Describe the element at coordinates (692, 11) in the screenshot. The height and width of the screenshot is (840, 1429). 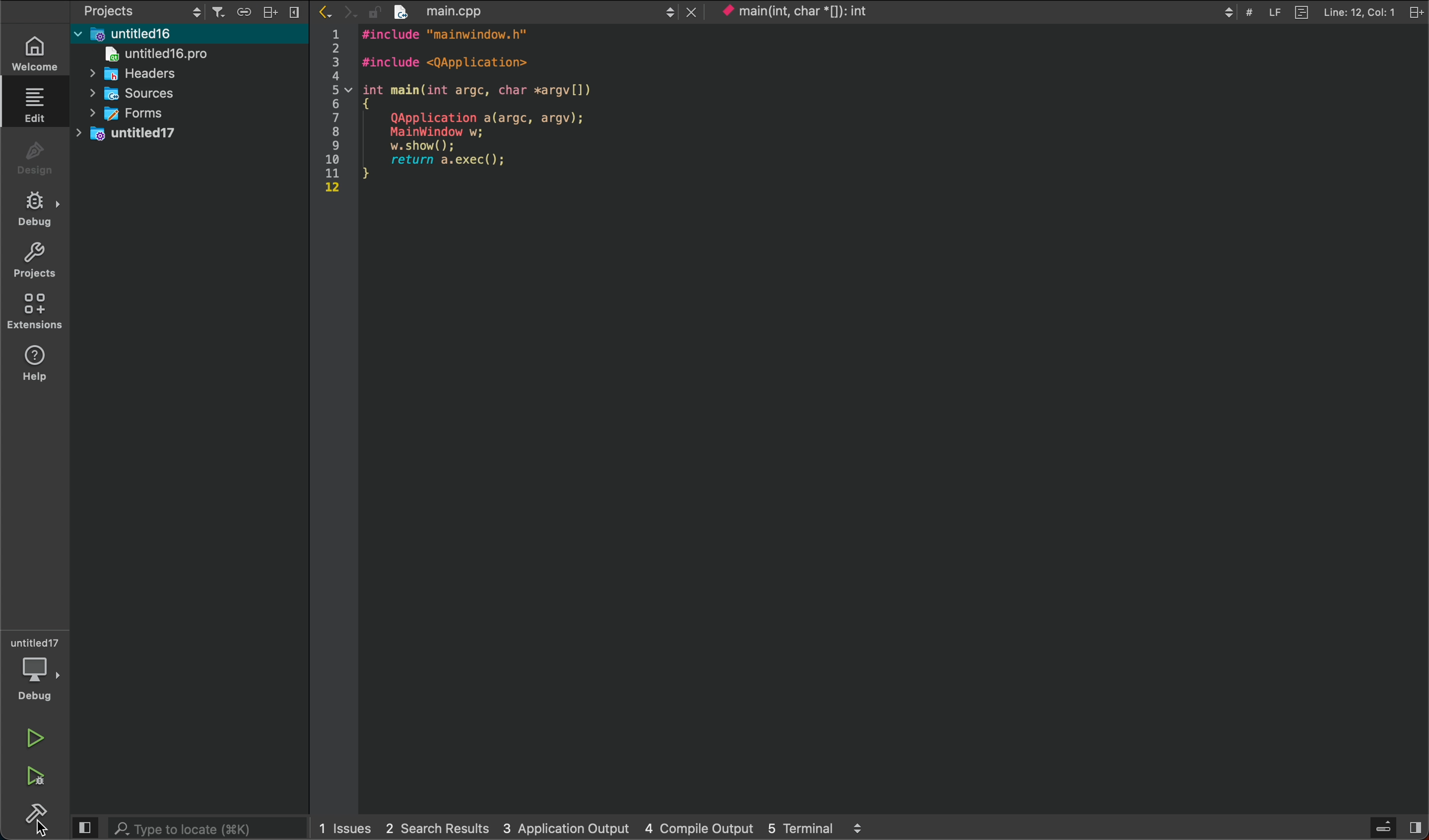
I see `close` at that location.